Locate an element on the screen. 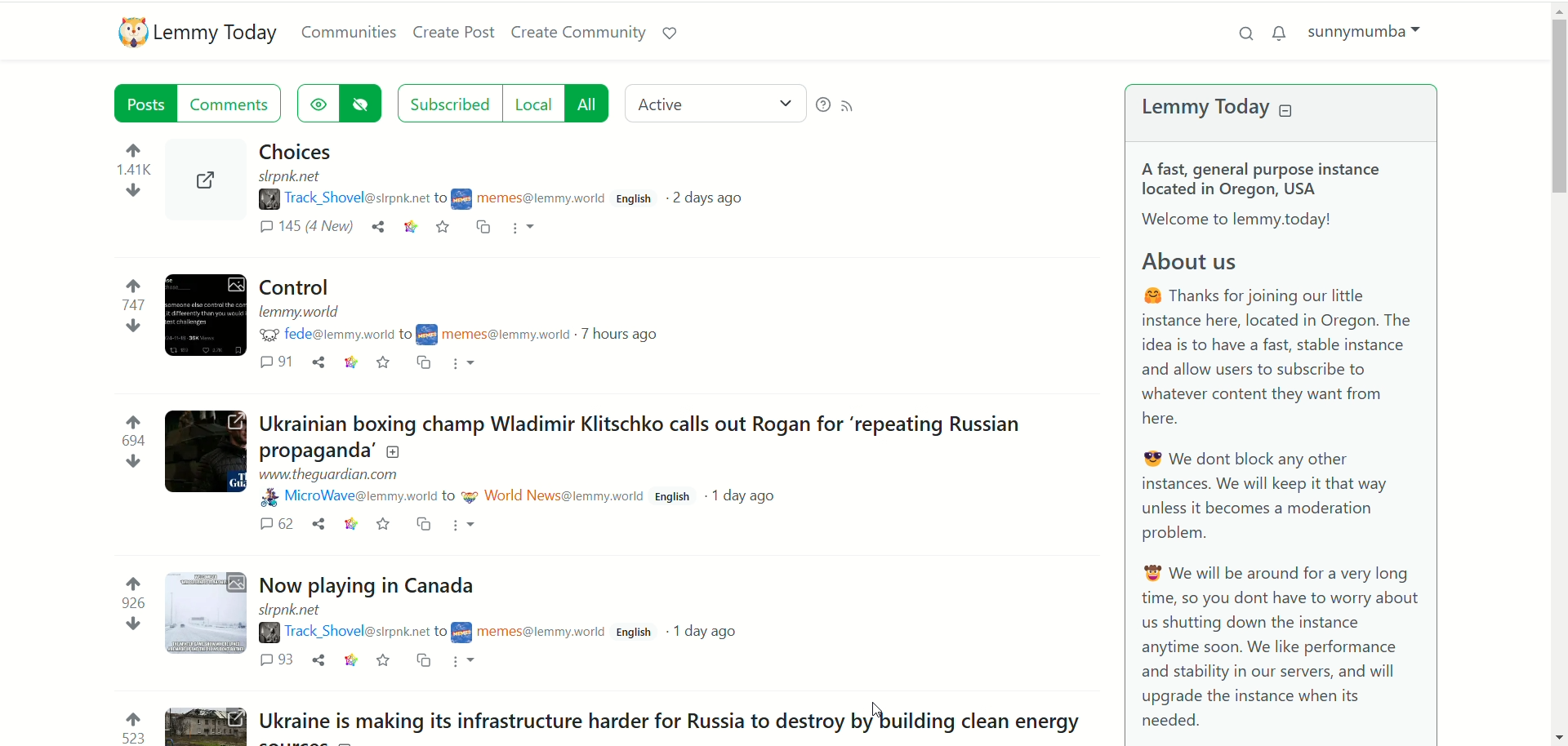 This screenshot has width=1568, height=746. cross post is located at coordinates (424, 362).